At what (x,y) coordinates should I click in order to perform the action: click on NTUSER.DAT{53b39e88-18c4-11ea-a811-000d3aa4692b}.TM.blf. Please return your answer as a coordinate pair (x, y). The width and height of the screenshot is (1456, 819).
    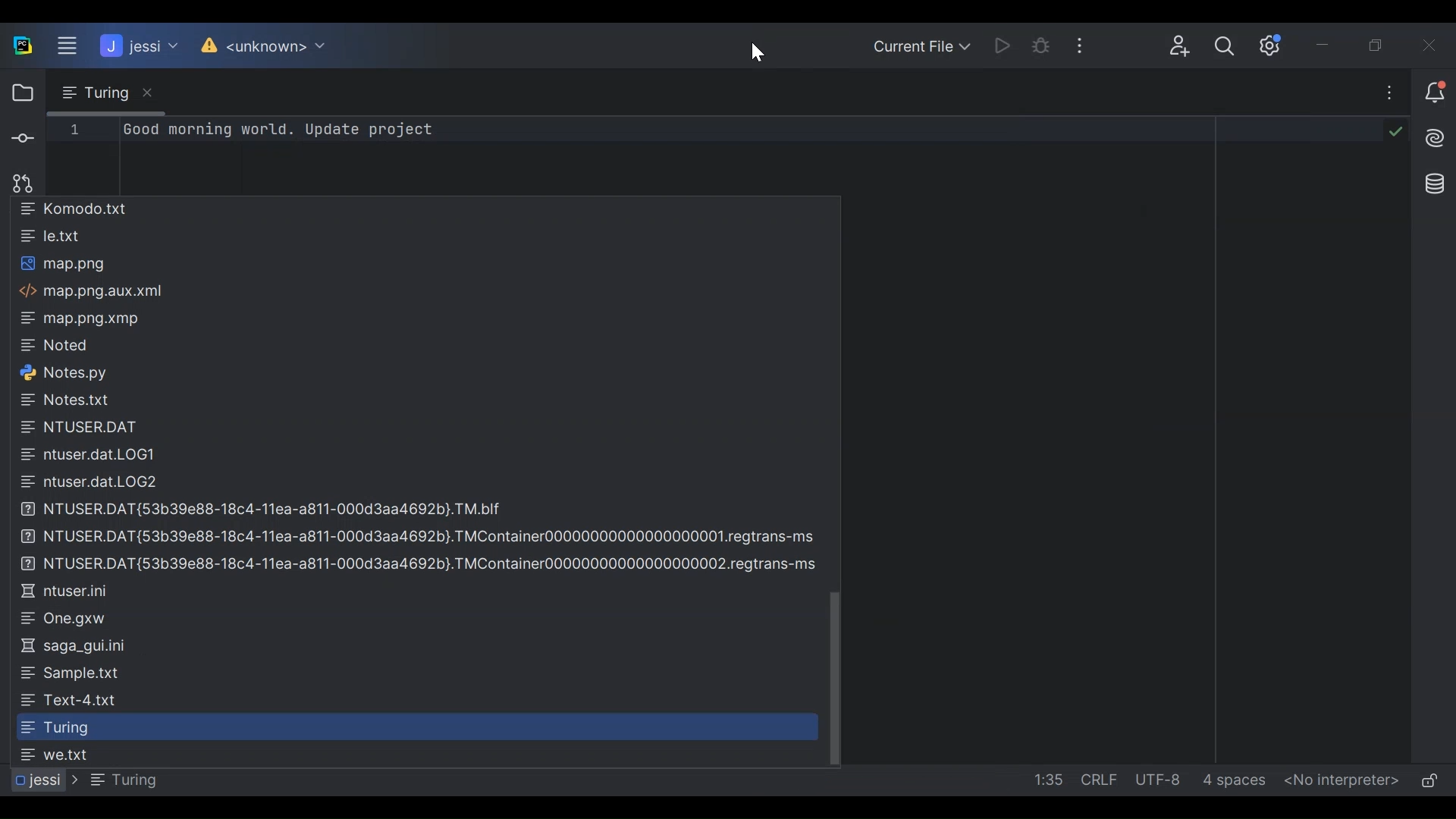
    Looking at the image, I should click on (267, 508).